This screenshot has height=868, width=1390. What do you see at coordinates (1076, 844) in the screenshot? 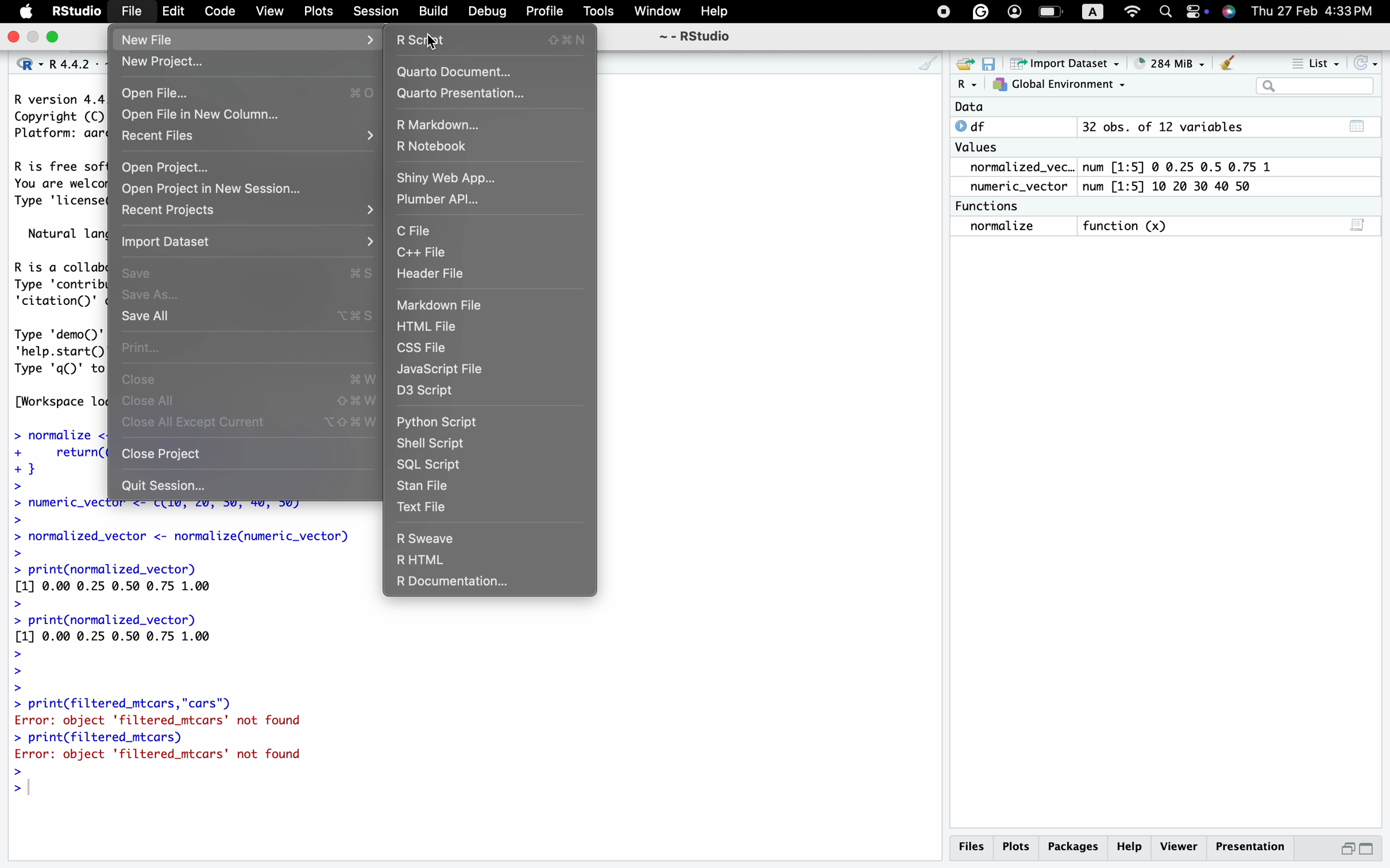
I see `packages` at bounding box center [1076, 844].